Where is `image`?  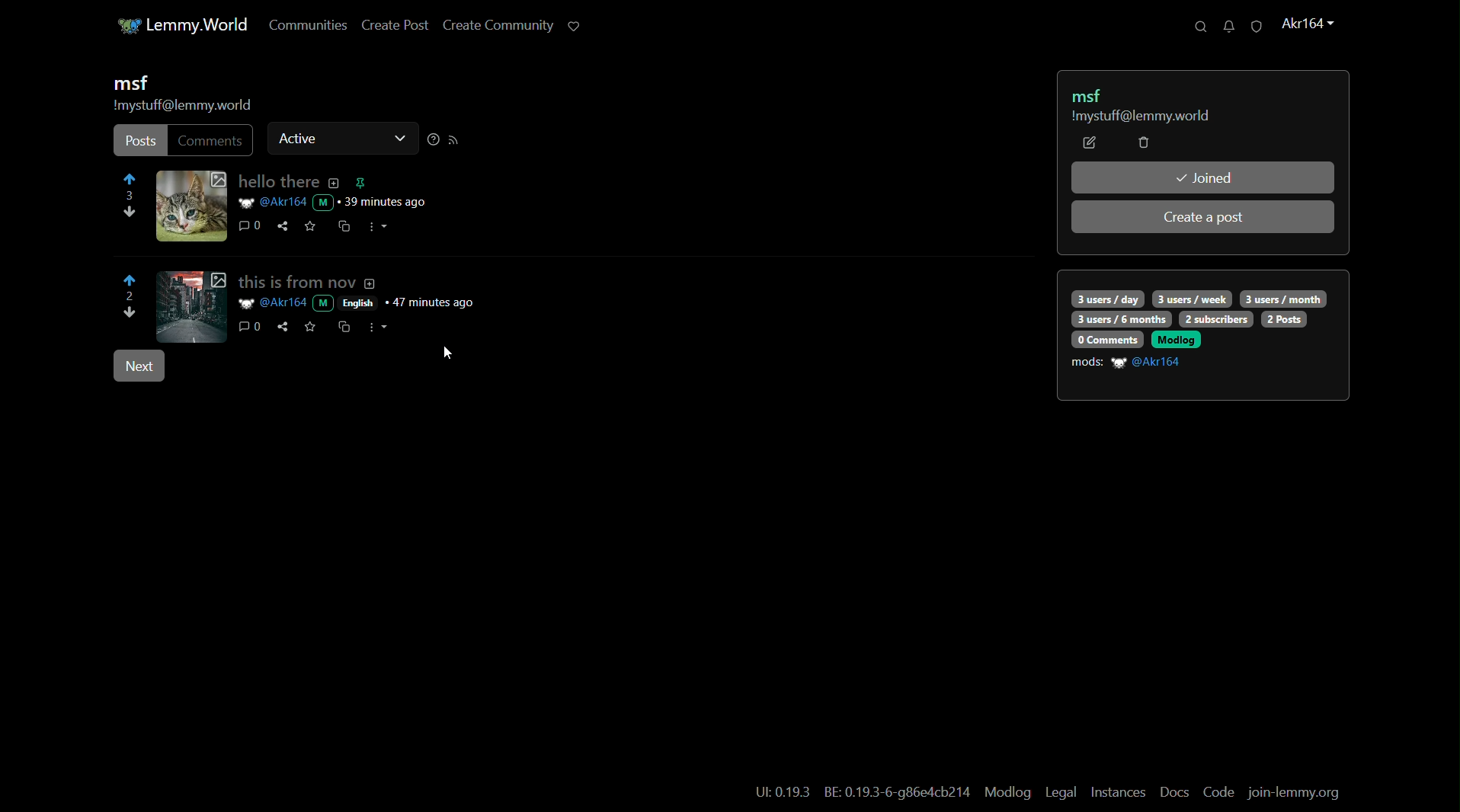
image is located at coordinates (191, 305).